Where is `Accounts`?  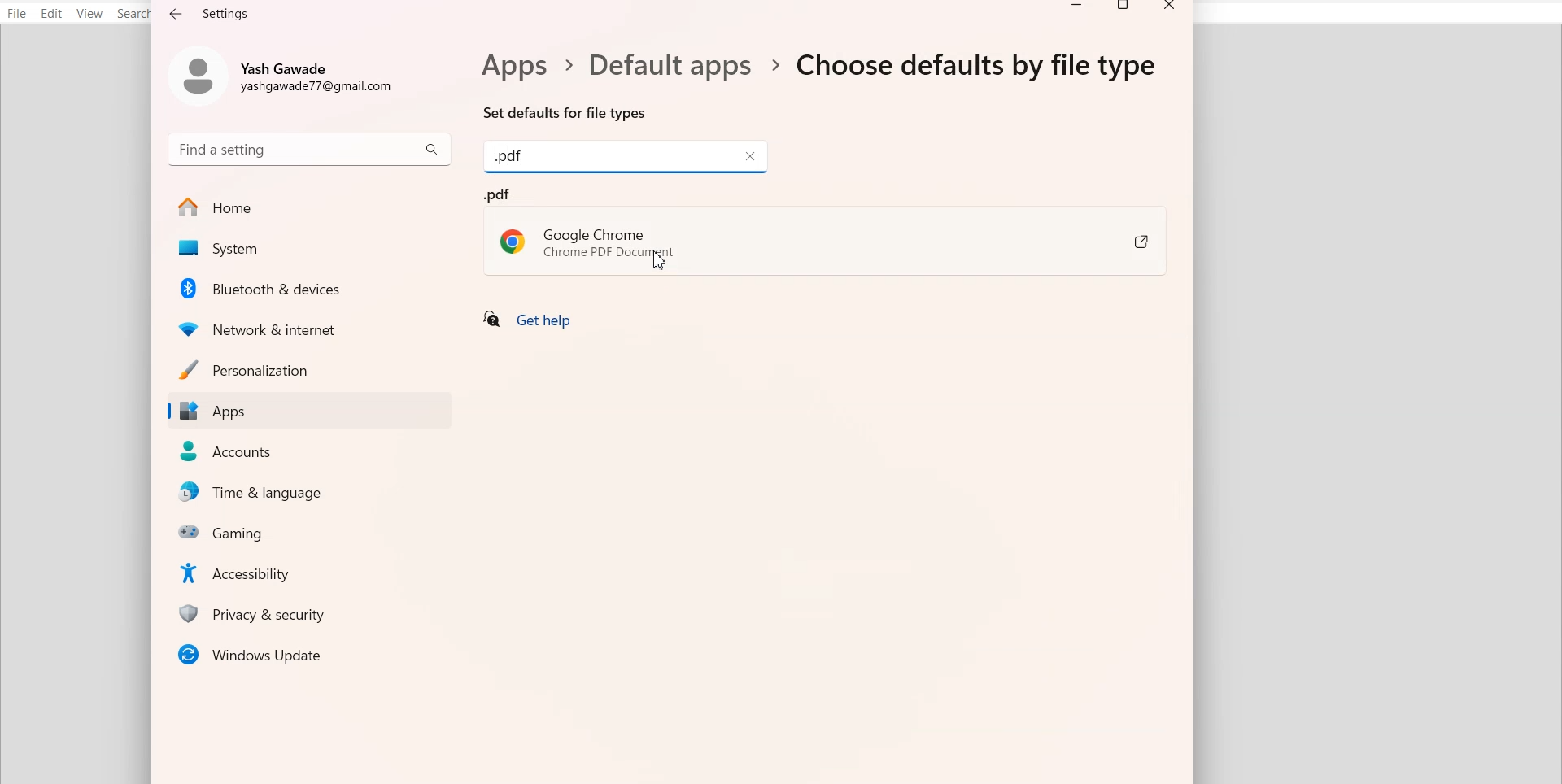
Accounts is located at coordinates (311, 451).